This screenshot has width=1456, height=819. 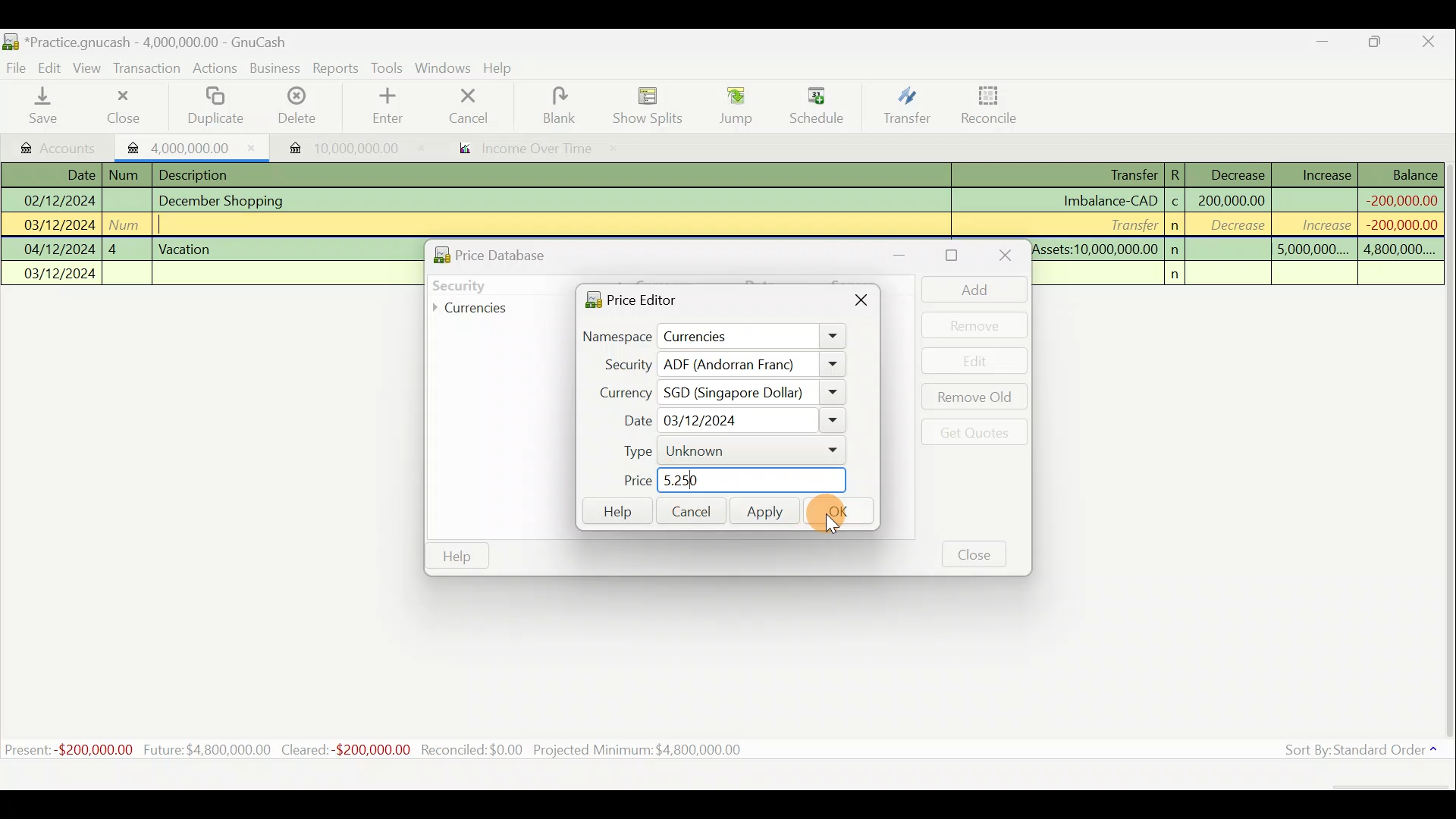 I want to click on SGD, so click(x=754, y=393).